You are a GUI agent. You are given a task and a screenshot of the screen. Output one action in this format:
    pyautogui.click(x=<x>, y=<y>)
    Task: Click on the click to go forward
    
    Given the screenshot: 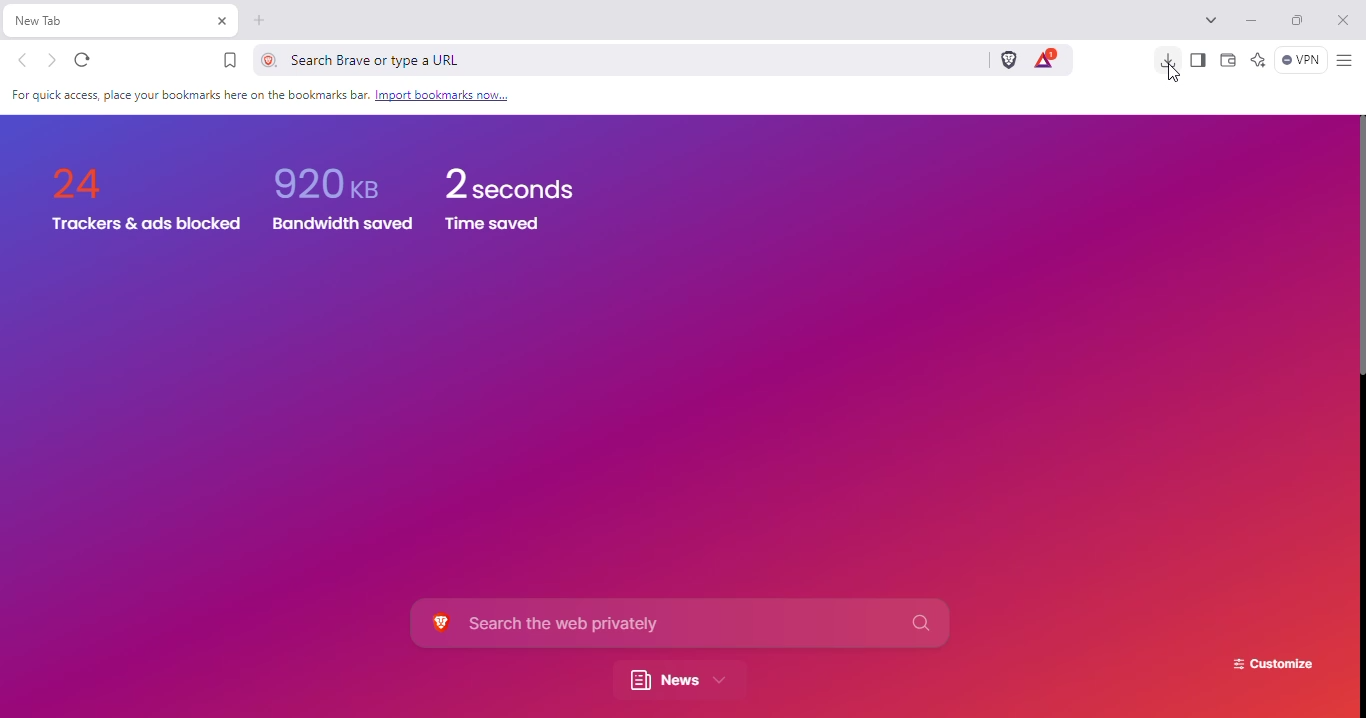 What is the action you would take?
    pyautogui.click(x=52, y=61)
    